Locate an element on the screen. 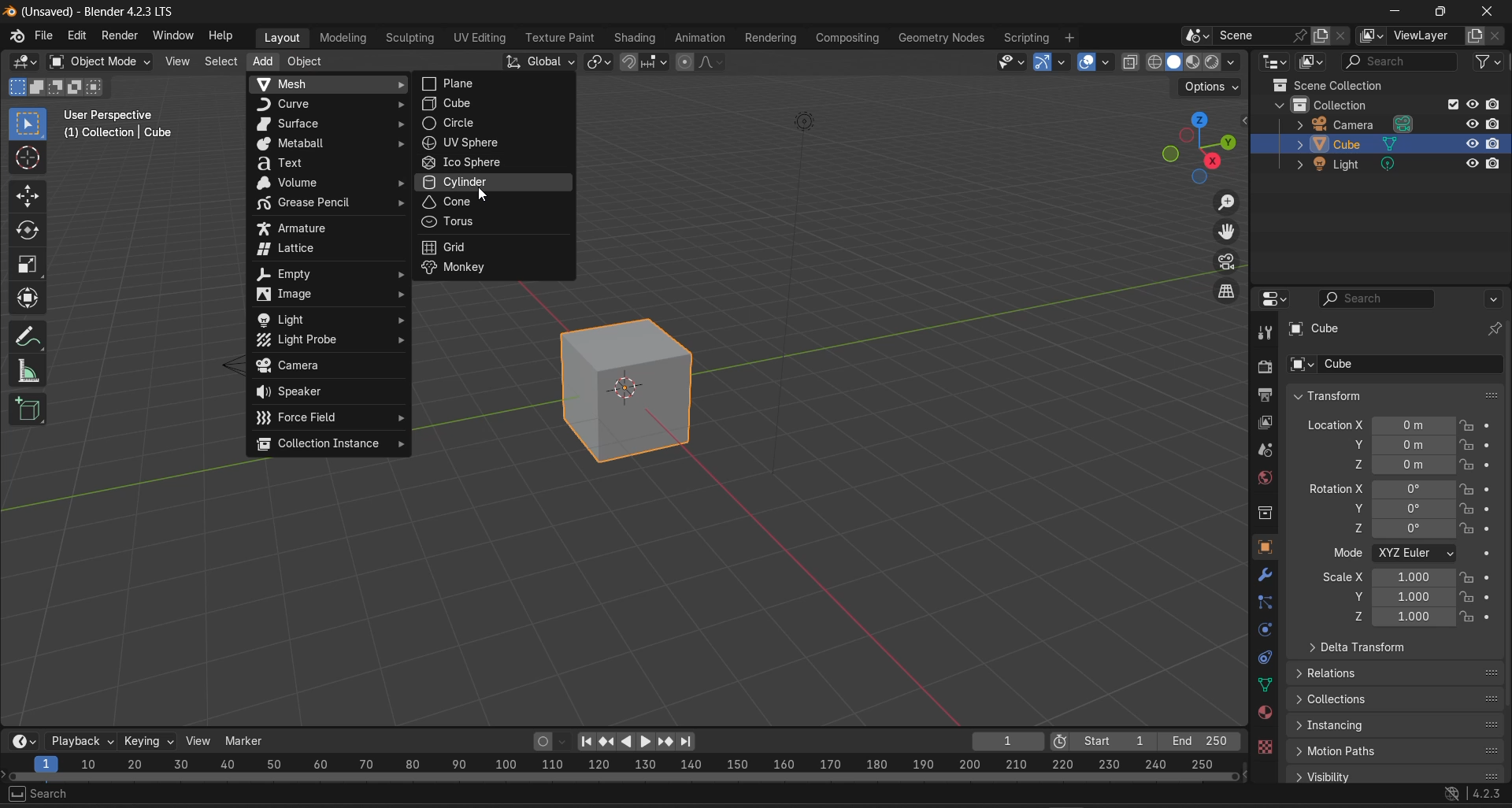 The height and width of the screenshot is (808, 1512). delta transform is located at coordinates (1353, 647).